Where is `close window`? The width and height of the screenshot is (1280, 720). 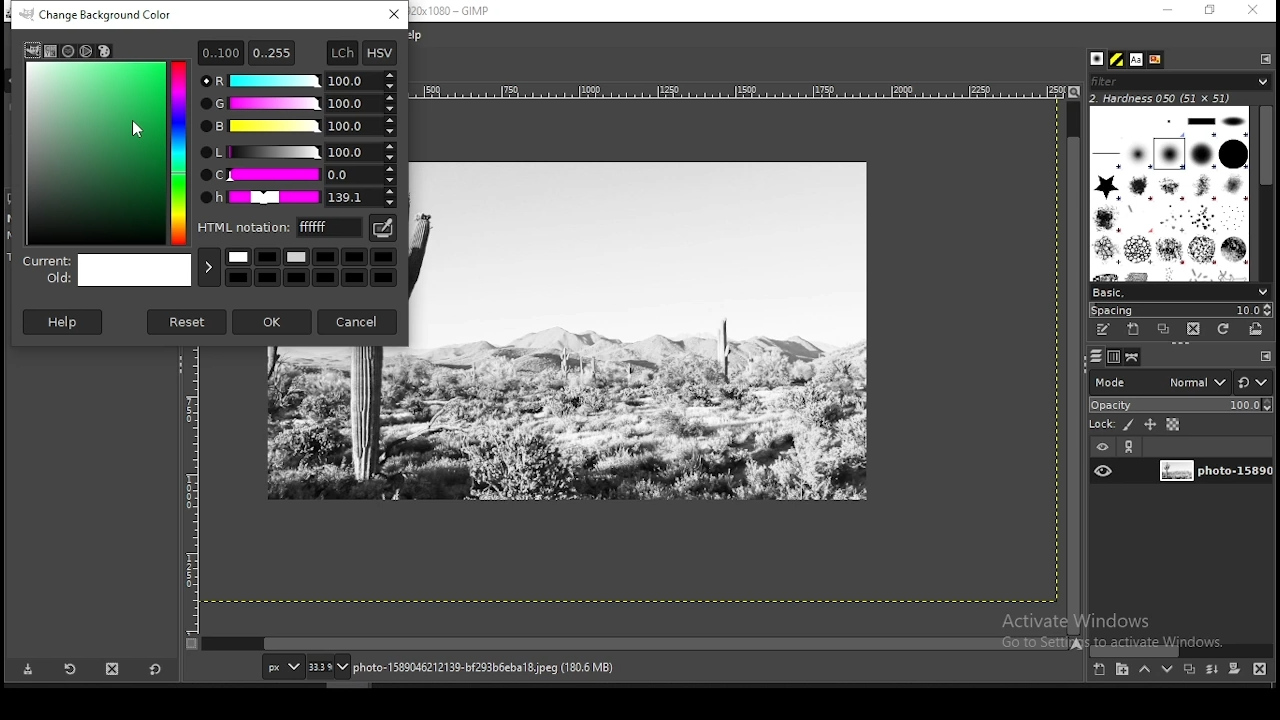 close window is located at coordinates (1252, 10).